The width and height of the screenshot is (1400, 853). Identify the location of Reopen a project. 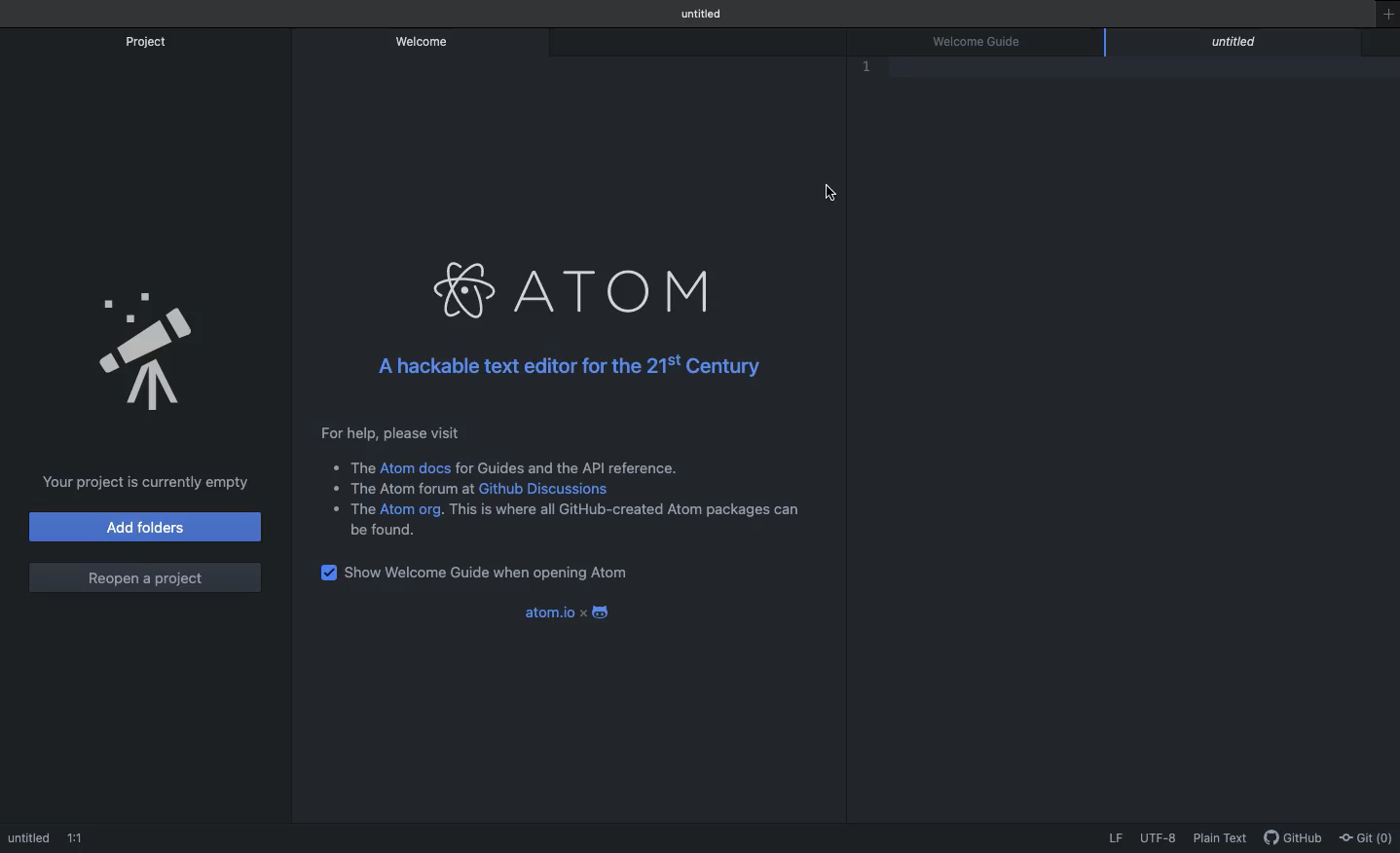
(148, 576).